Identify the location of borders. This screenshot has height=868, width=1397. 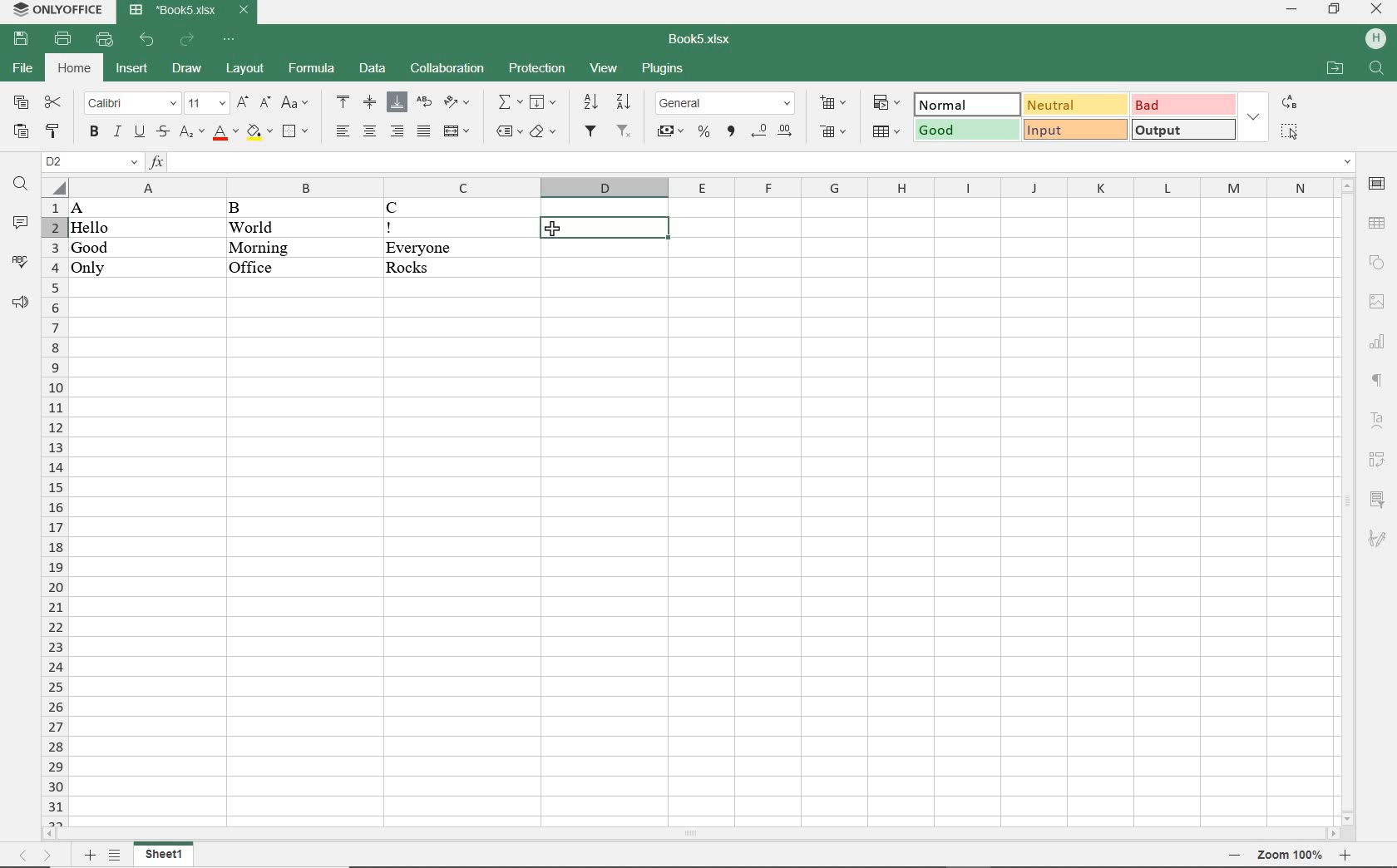
(298, 132).